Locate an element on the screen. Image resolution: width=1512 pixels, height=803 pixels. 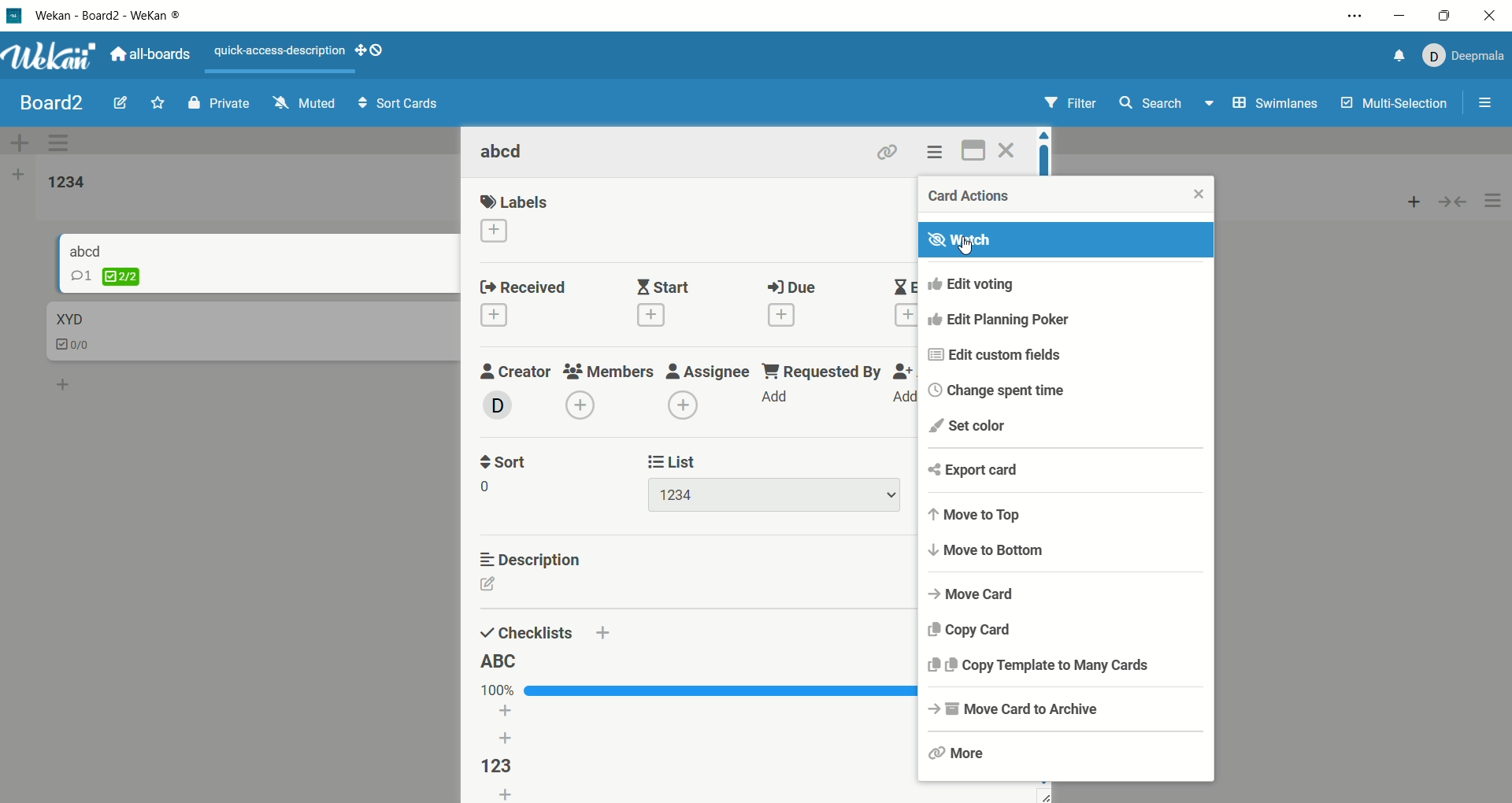
change spent time is located at coordinates (1067, 390).